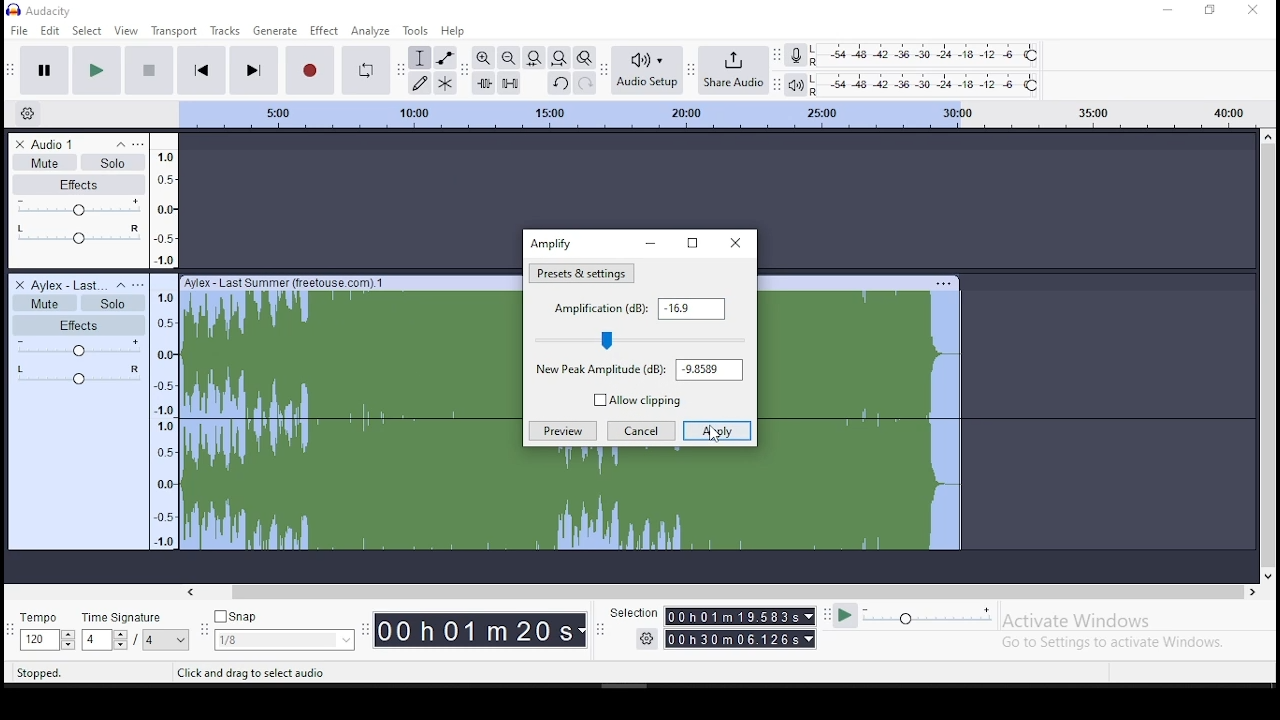 The height and width of the screenshot is (720, 1280). What do you see at coordinates (69, 284) in the screenshot?
I see `audio track name` at bounding box center [69, 284].